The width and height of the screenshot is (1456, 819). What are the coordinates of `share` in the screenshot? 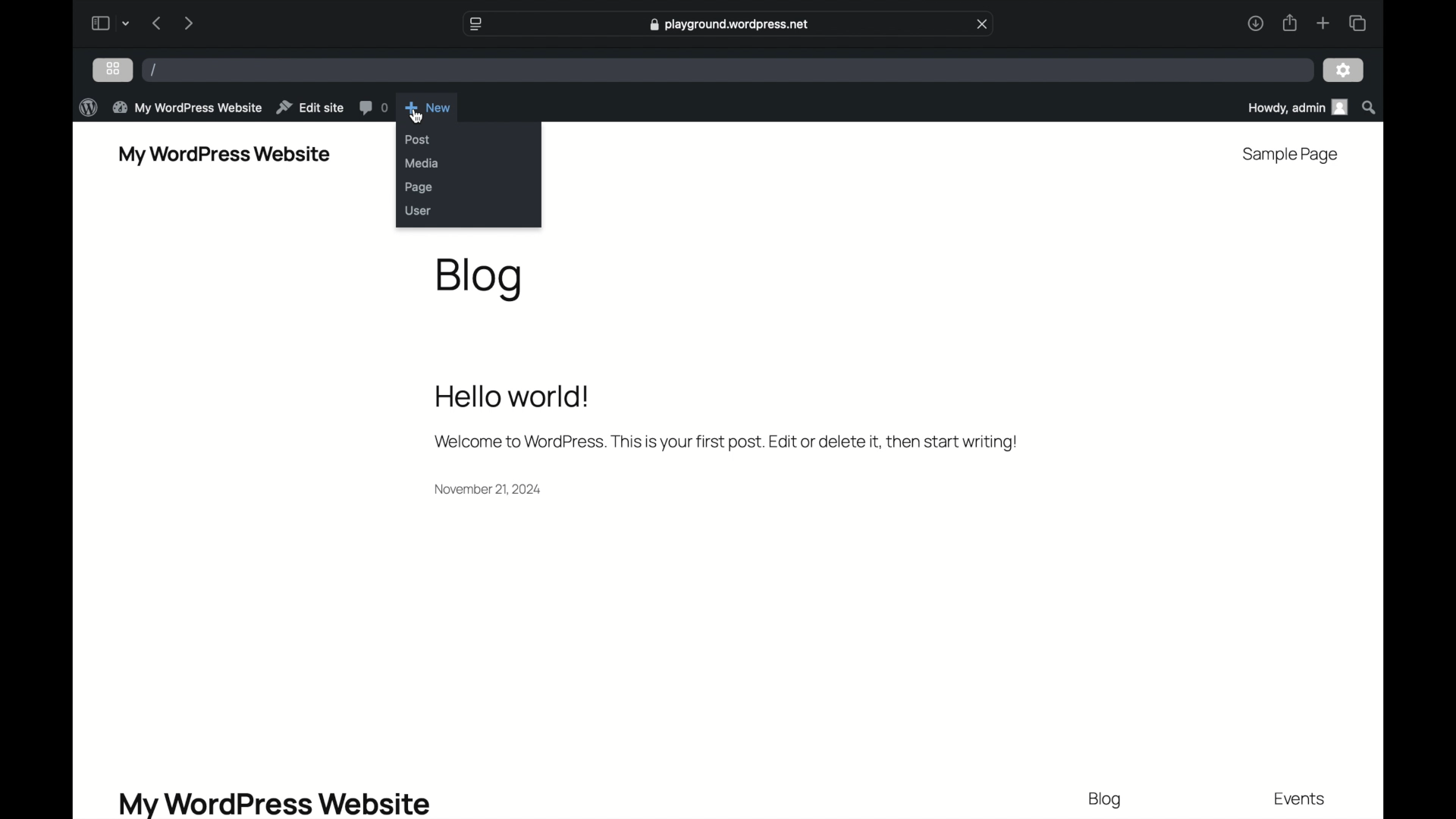 It's located at (1291, 23).